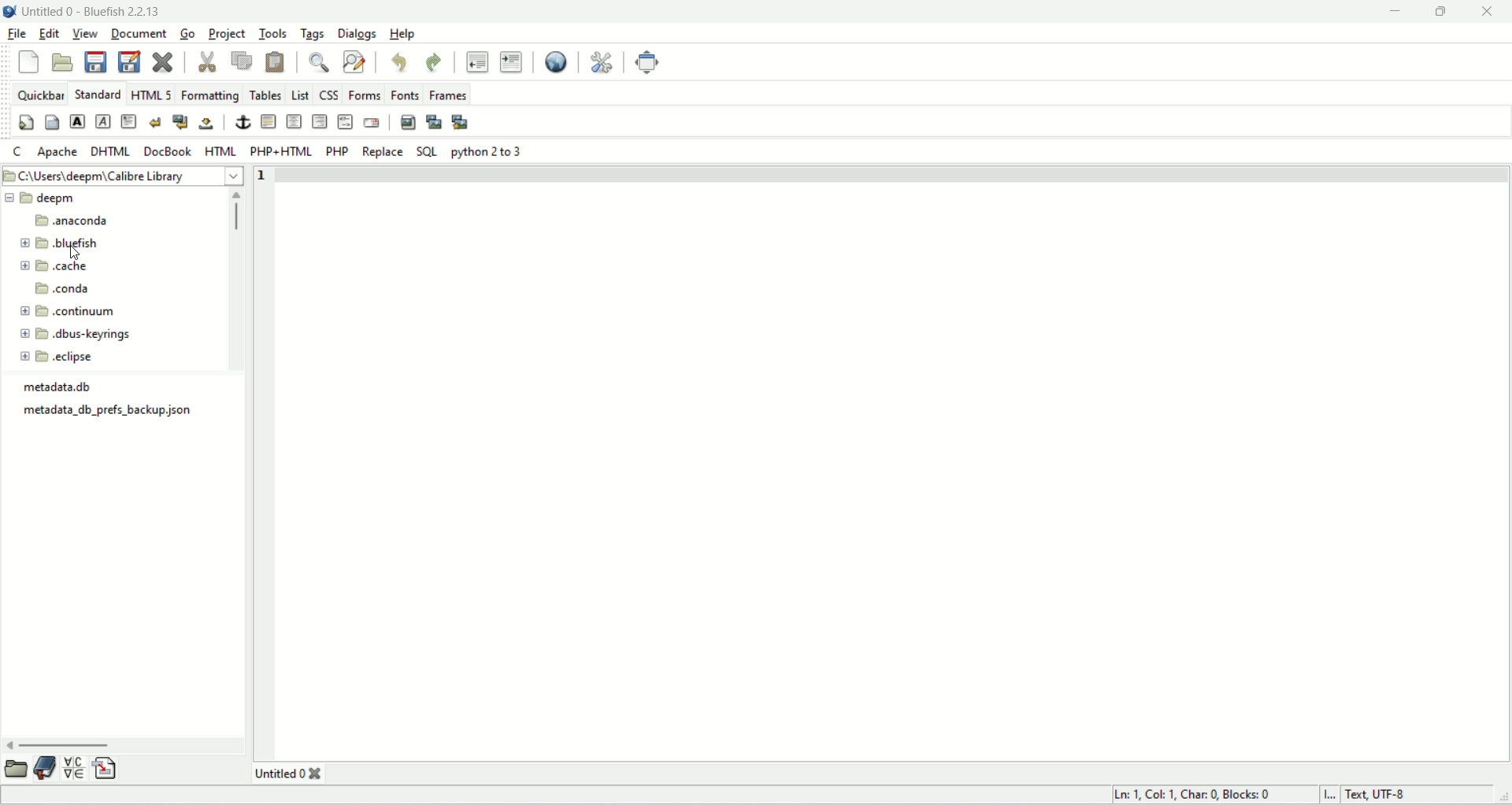 The width and height of the screenshot is (1512, 805). What do you see at coordinates (76, 336) in the screenshot?
I see `dbus` at bounding box center [76, 336].